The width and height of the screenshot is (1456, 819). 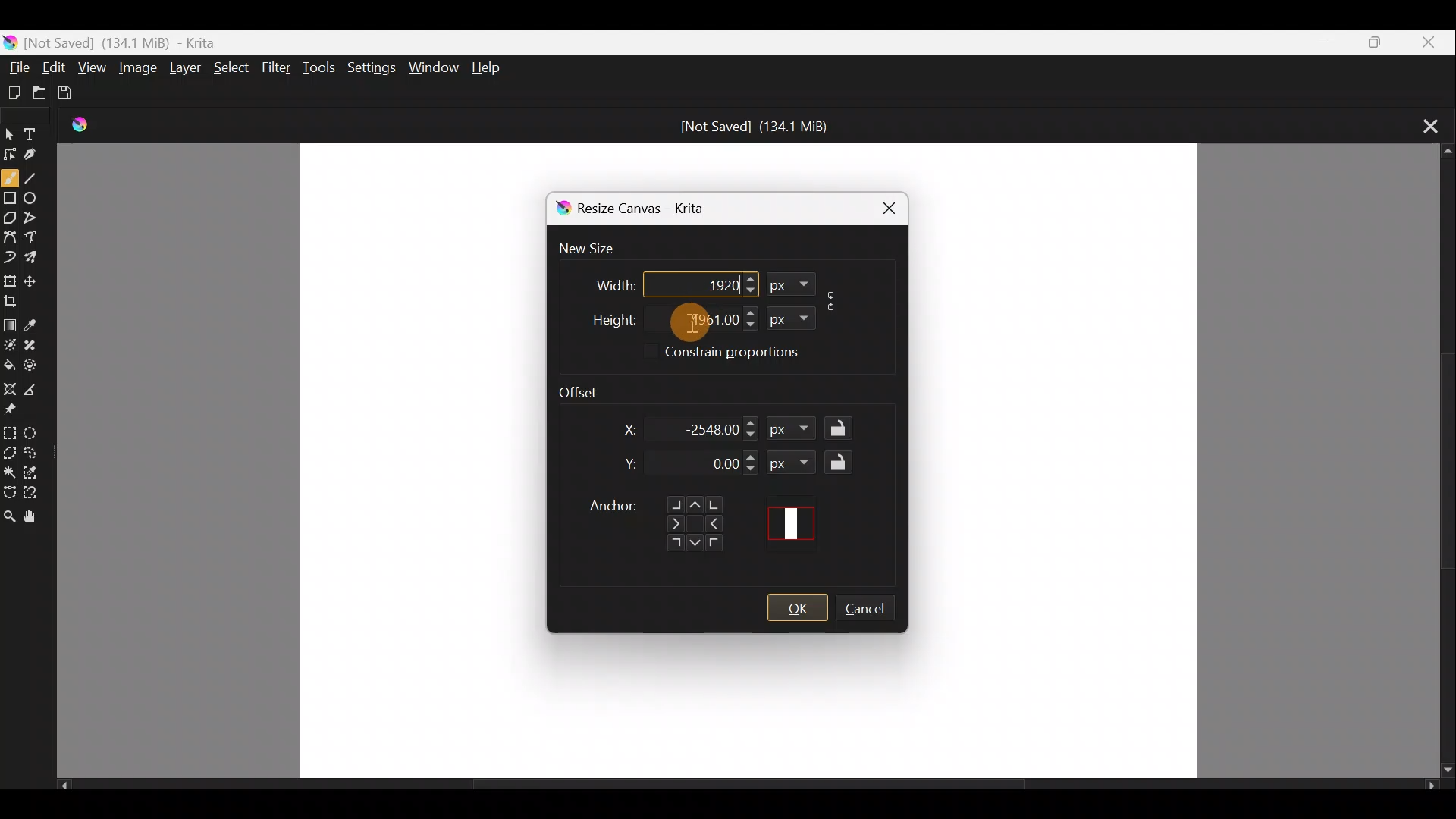 What do you see at coordinates (626, 464) in the screenshot?
I see `Y dimension` at bounding box center [626, 464].